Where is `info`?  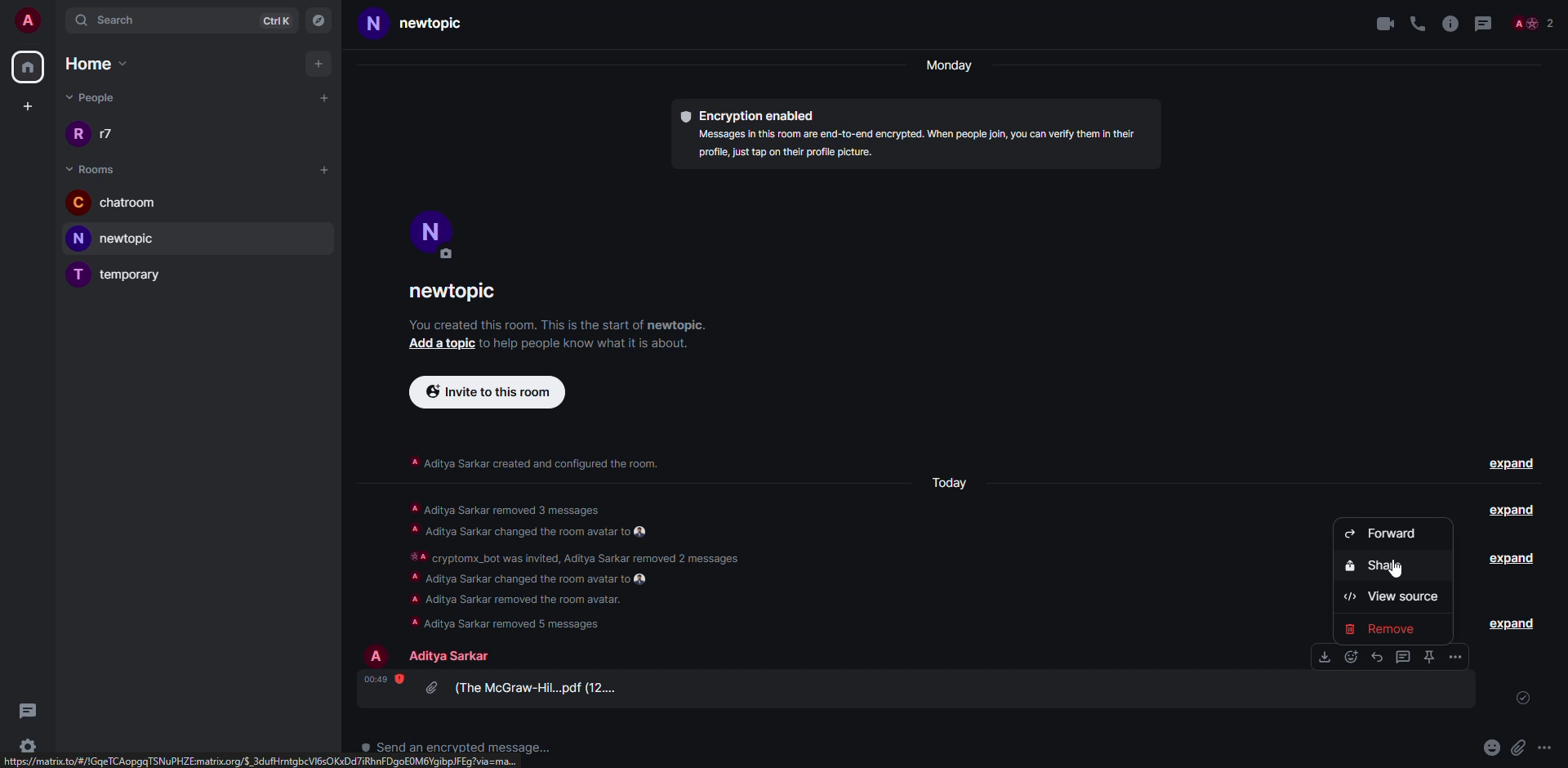
info is located at coordinates (546, 464).